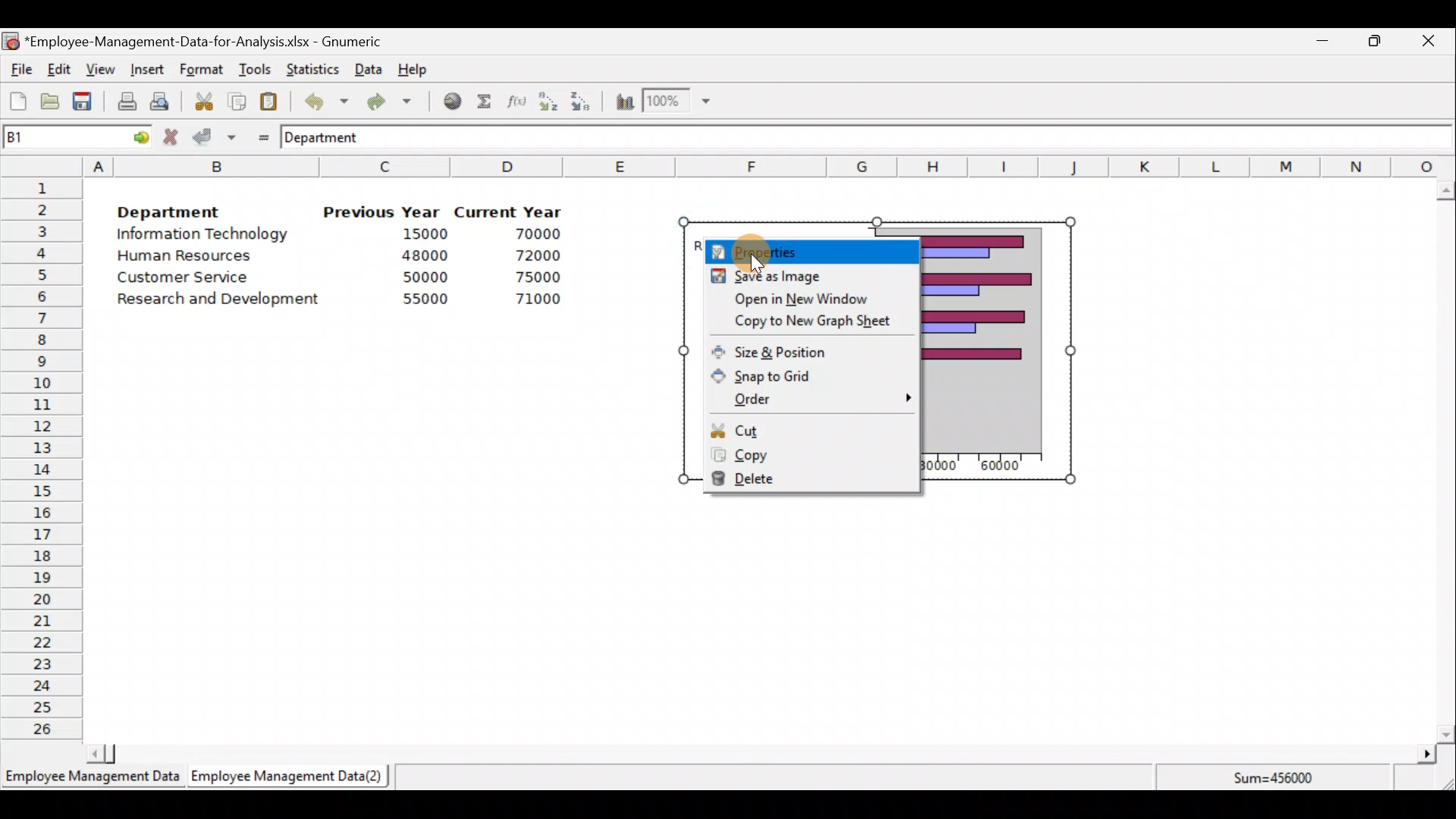 Image resolution: width=1456 pixels, height=819 pixels. I want to click on Cells, so click(759, 614).